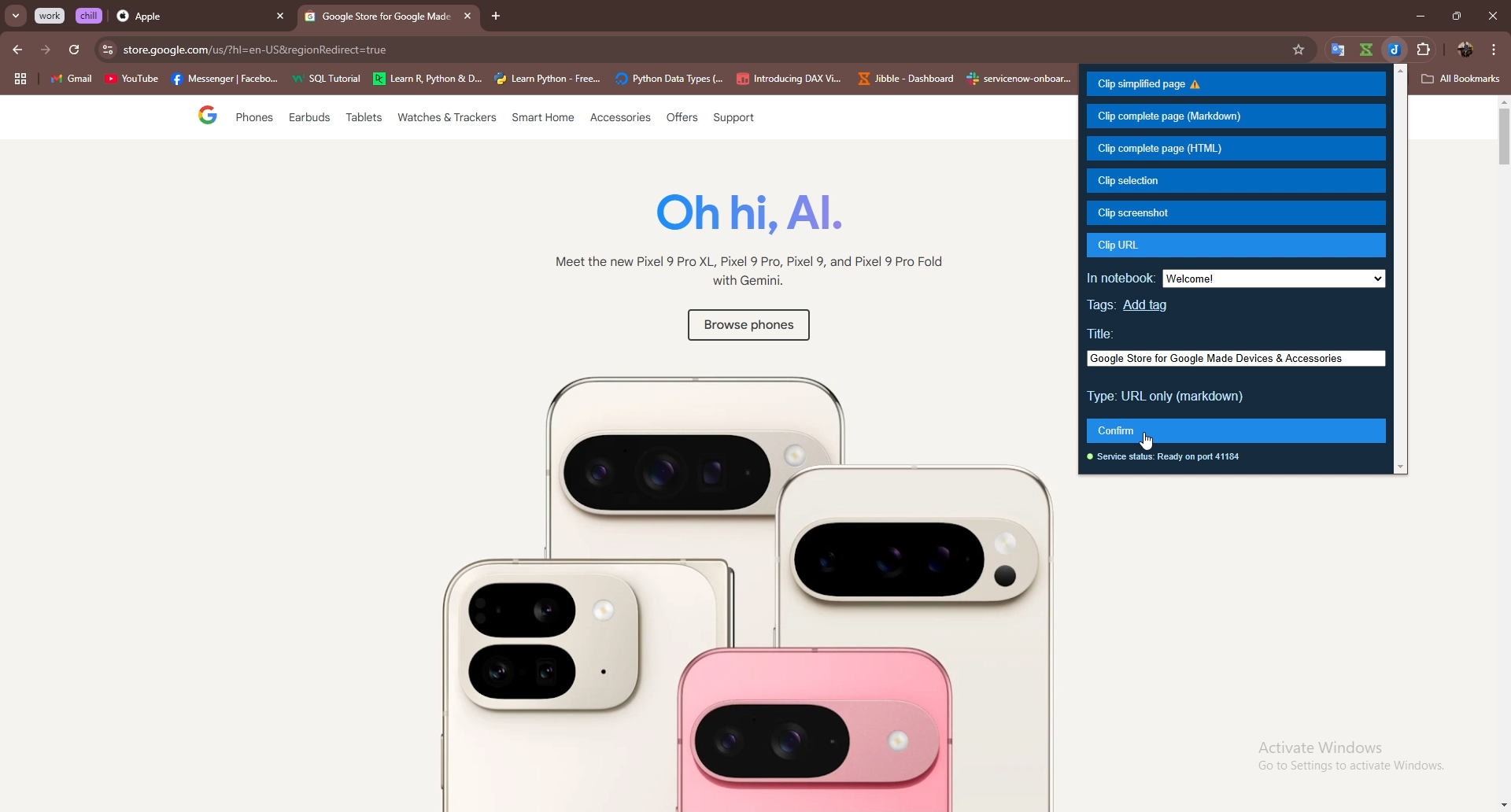 Image resolution: width=1511 pixels, height=812 pixels. Describe the element at coordinates (1169, 459) in the screenshot. I see `service status: Ready on port 41184` at that location.